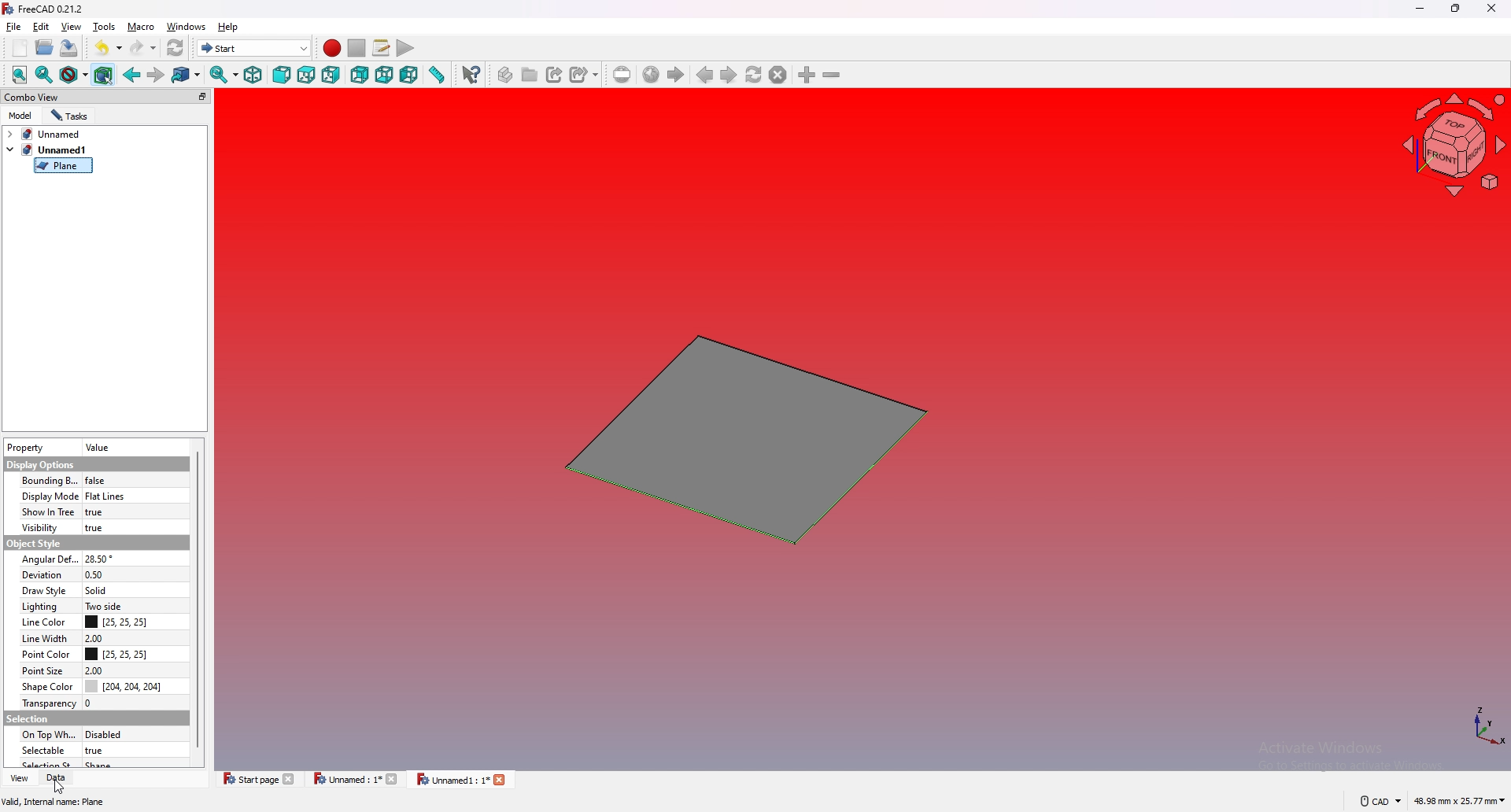 The height and width of the screenshot is (812, 1511). Describe the element at coordinates (120, 654) in the screenshot. I see `[25, 25, 25]` at that location.